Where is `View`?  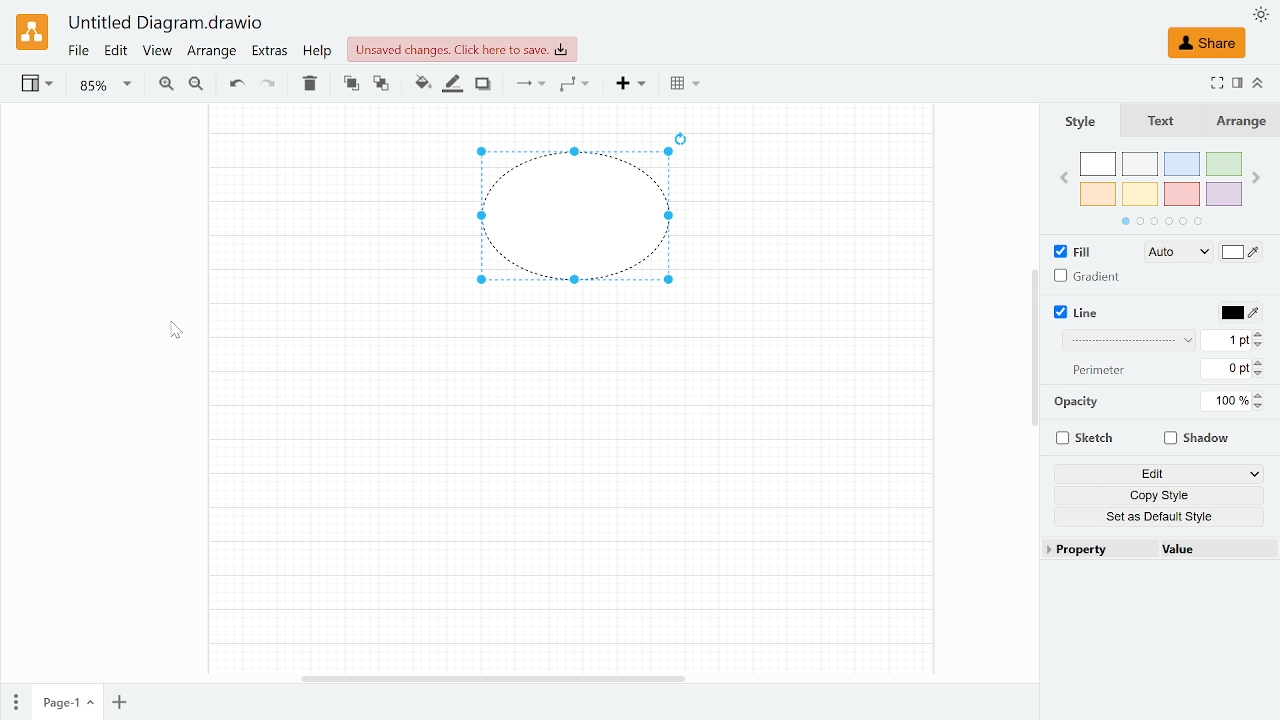 View is located at coordinates (39, 86).